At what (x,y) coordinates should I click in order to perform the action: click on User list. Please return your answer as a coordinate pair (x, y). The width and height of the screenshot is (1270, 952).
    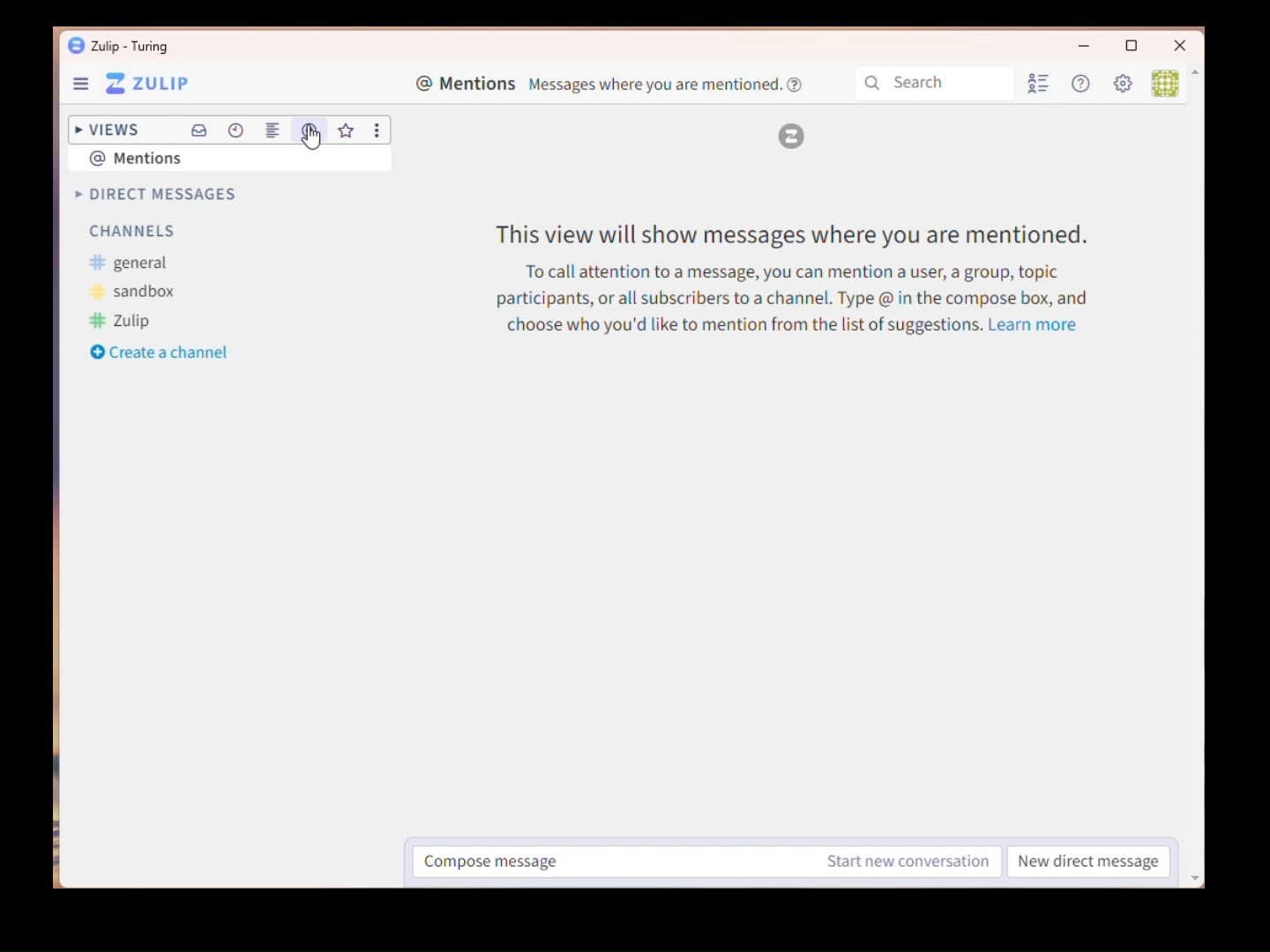
    Looking at the image, I should click on (1042, 86).